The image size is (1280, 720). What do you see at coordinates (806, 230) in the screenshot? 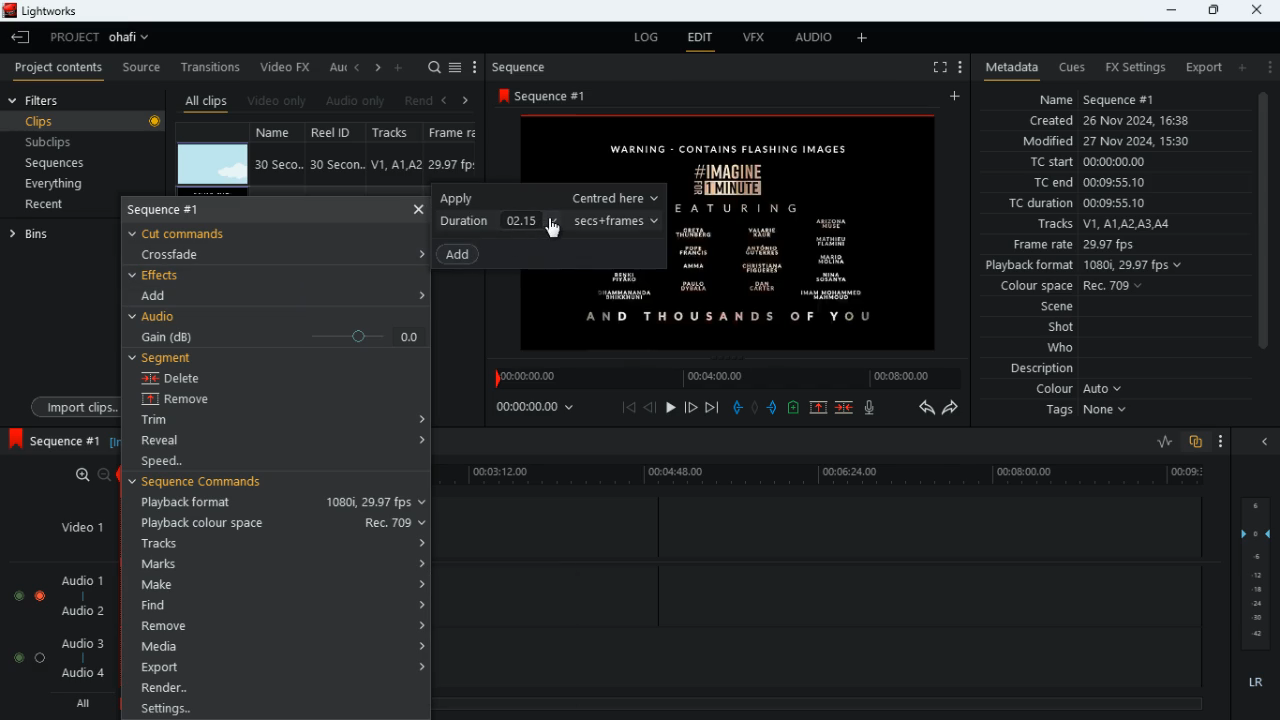
I see `Image` at bounding box center [806, 230].